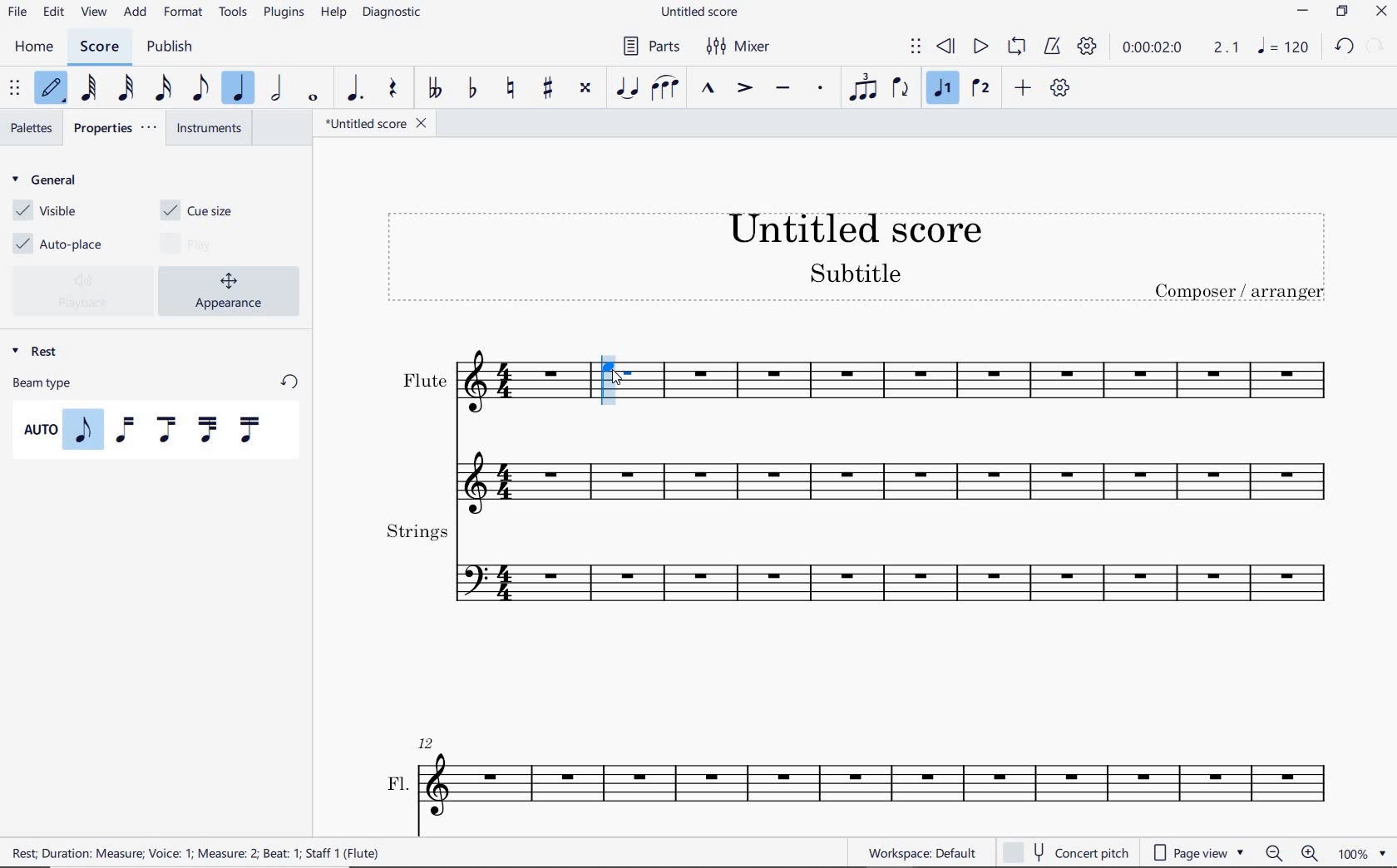 The image size is (1397, 868). What do you see at coordinates (946, 47) in the screenshot?
I see `REWIND` at bounding box center [946, 47].